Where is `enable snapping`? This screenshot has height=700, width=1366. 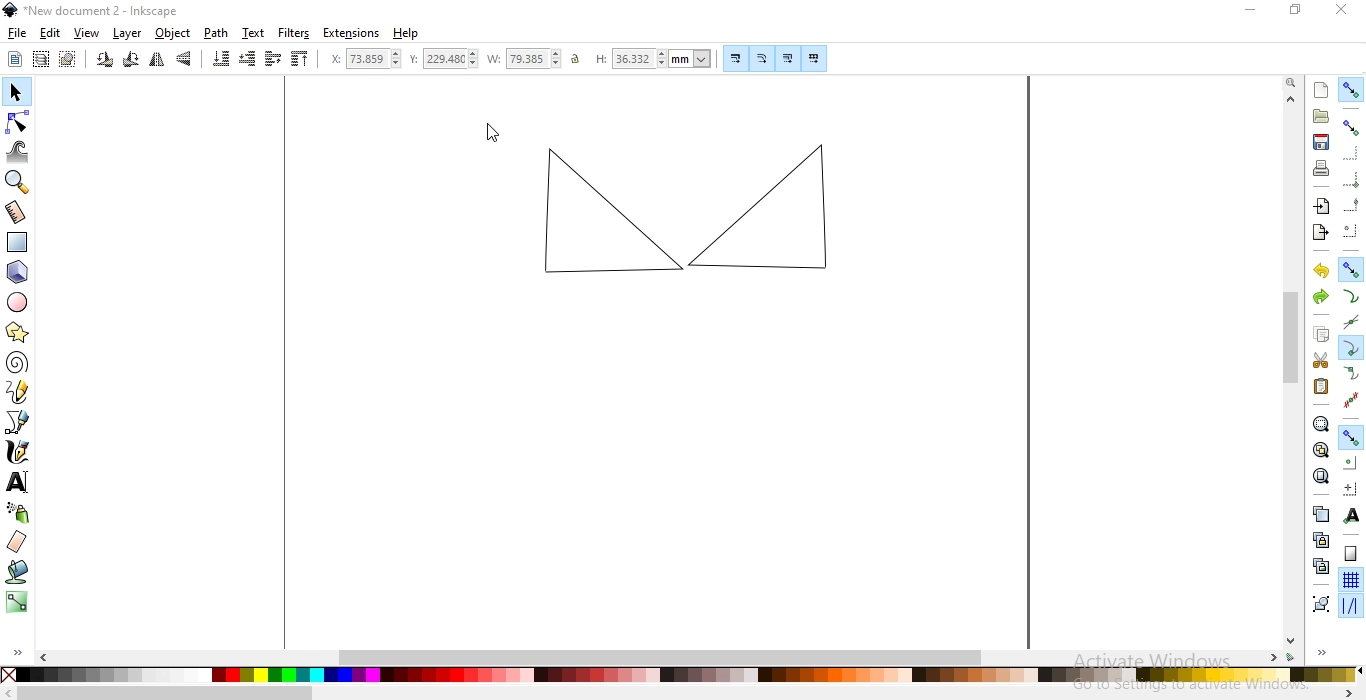 enable snapping is located at coordinates (1352, 91).